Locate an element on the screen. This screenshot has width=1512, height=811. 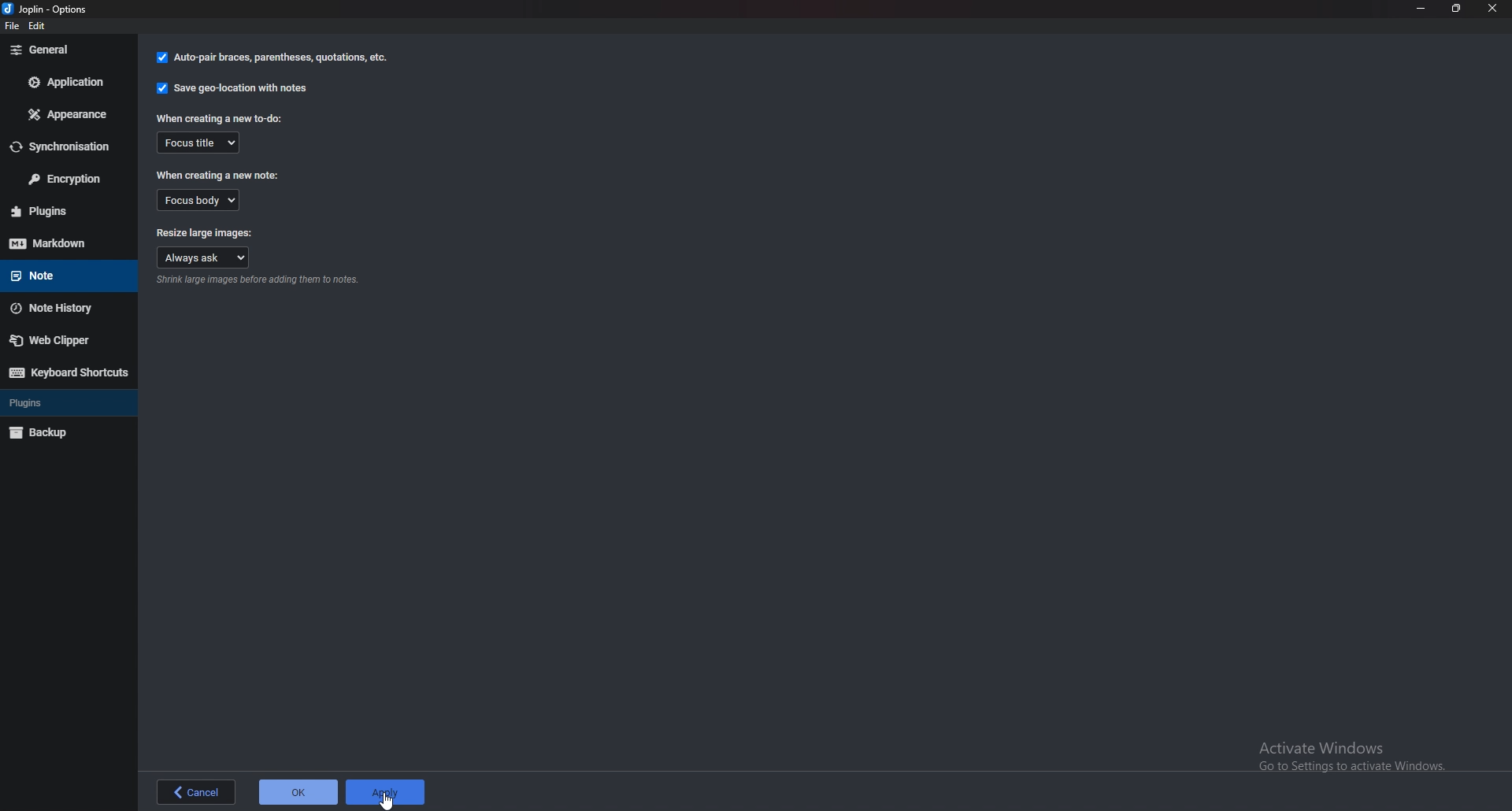
Synchronization is located at coordinates (64, 147).